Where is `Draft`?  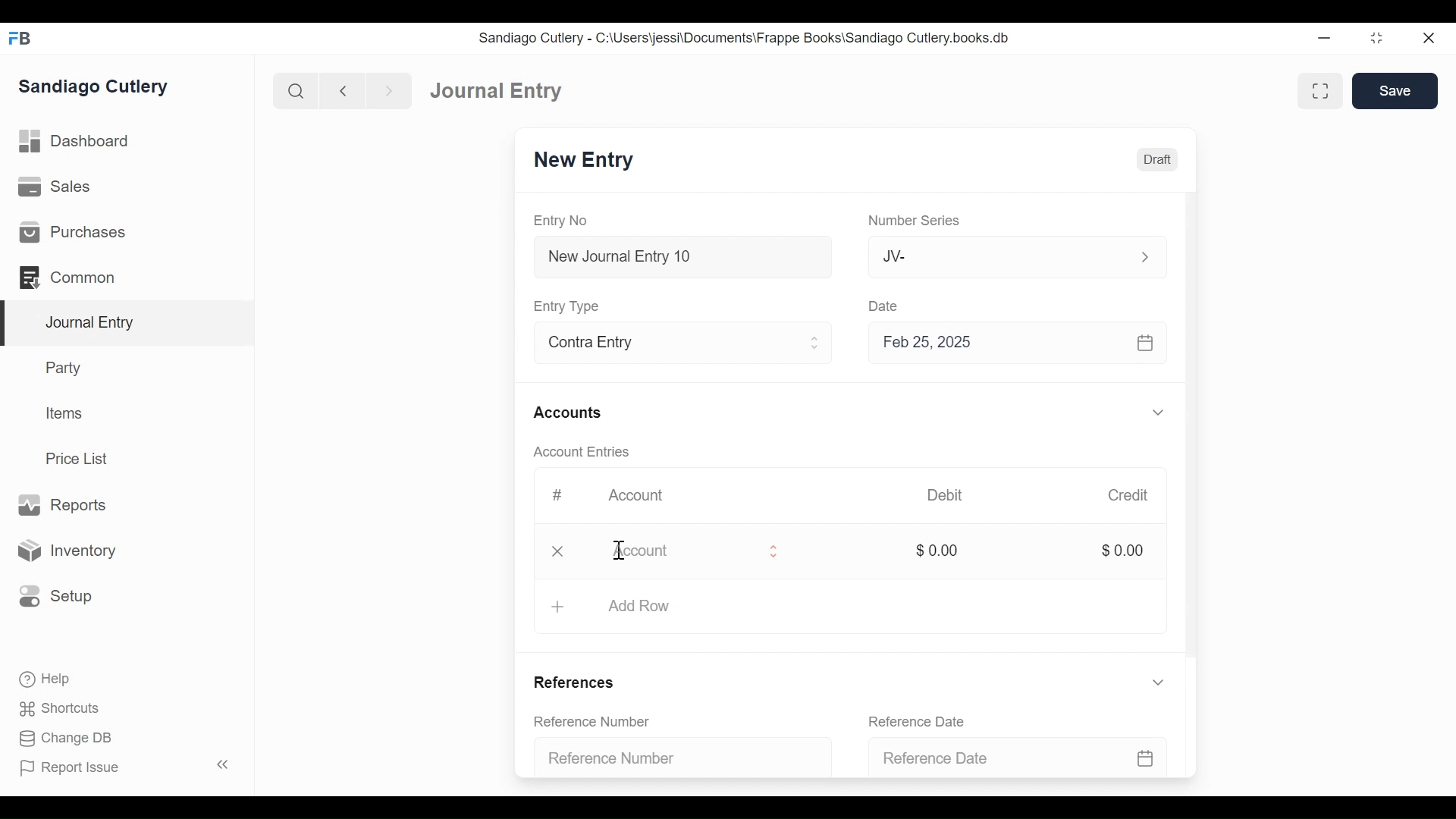
Draft is located at coordinates (1158, 160).